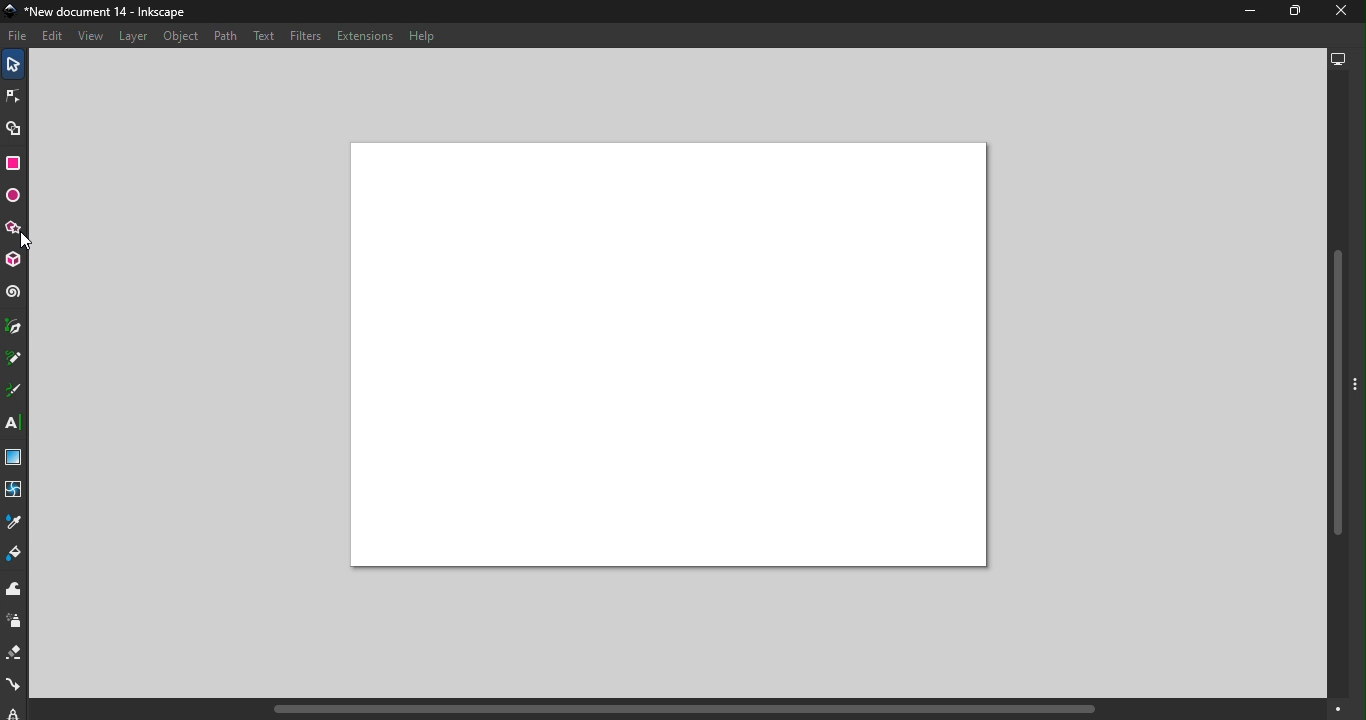 The height and width of the screenshot is (720, 1366). What do you see at coordinates (55, 36) in the screenshot?
I see `Edit` at bounding box center [55, 36].